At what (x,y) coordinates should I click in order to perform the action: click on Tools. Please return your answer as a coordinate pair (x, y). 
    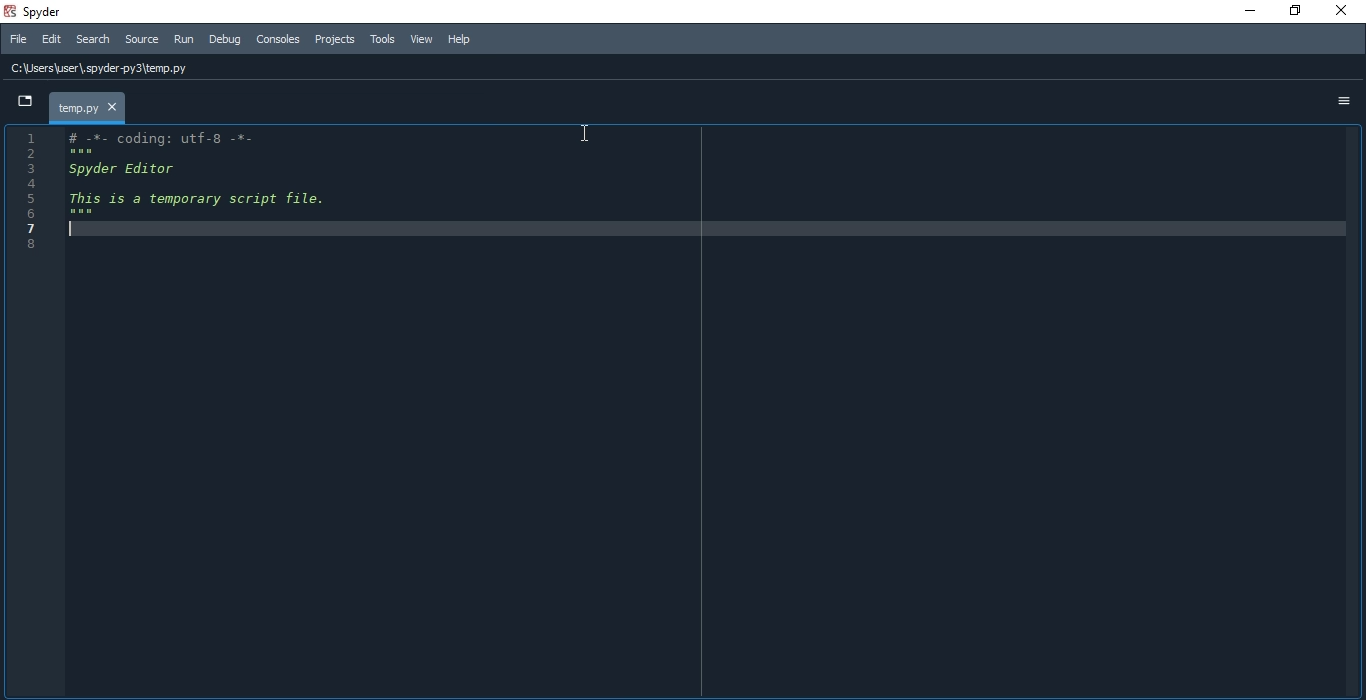
    Looking at the image, I should click on (384, 40).